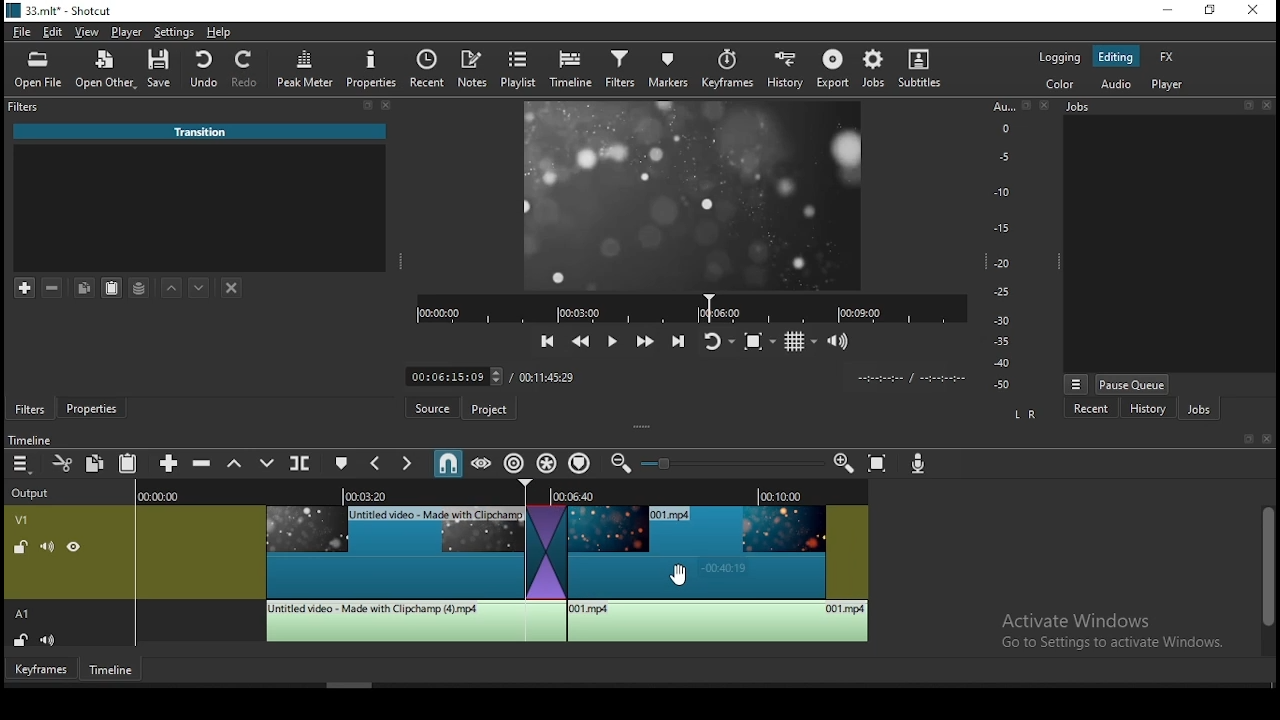  What do you see at coordinates (406, 464) in the screenshot?
I see `next marker` at bounding box center [406, 464].